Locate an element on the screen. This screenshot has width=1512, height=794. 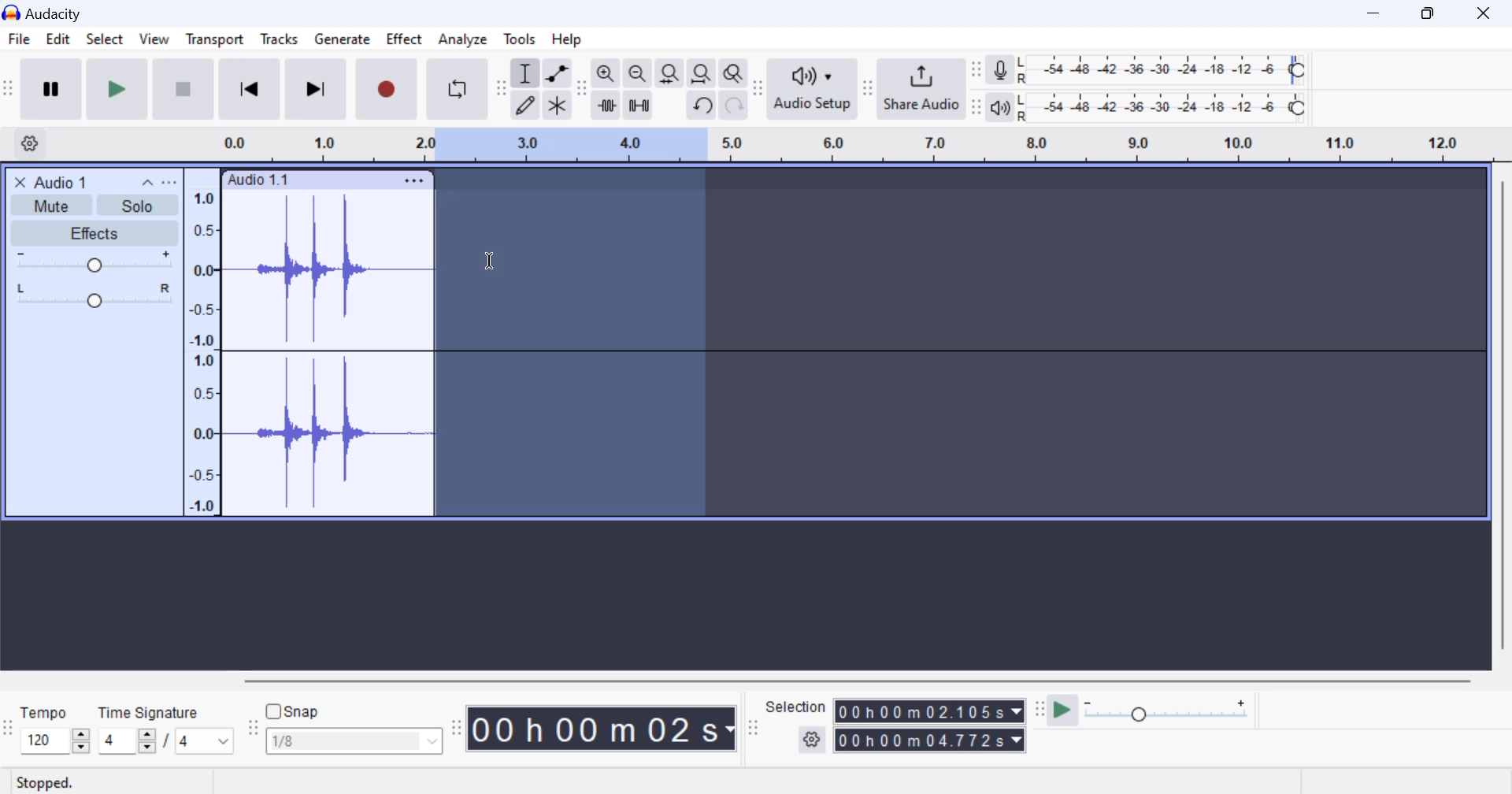
Close Window is located at coordinates (1488, 11).